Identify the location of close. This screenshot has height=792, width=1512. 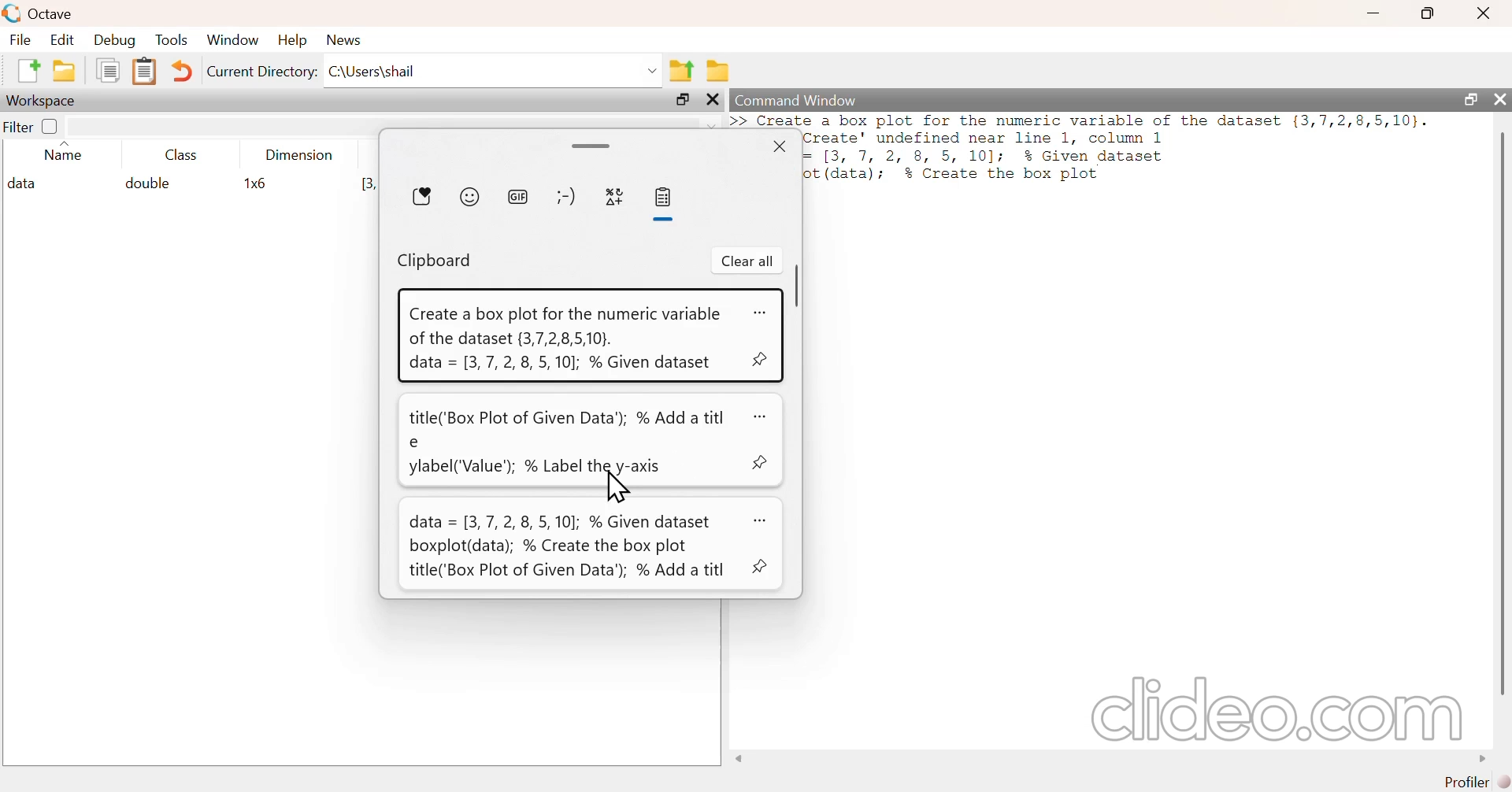
(1501, 100).